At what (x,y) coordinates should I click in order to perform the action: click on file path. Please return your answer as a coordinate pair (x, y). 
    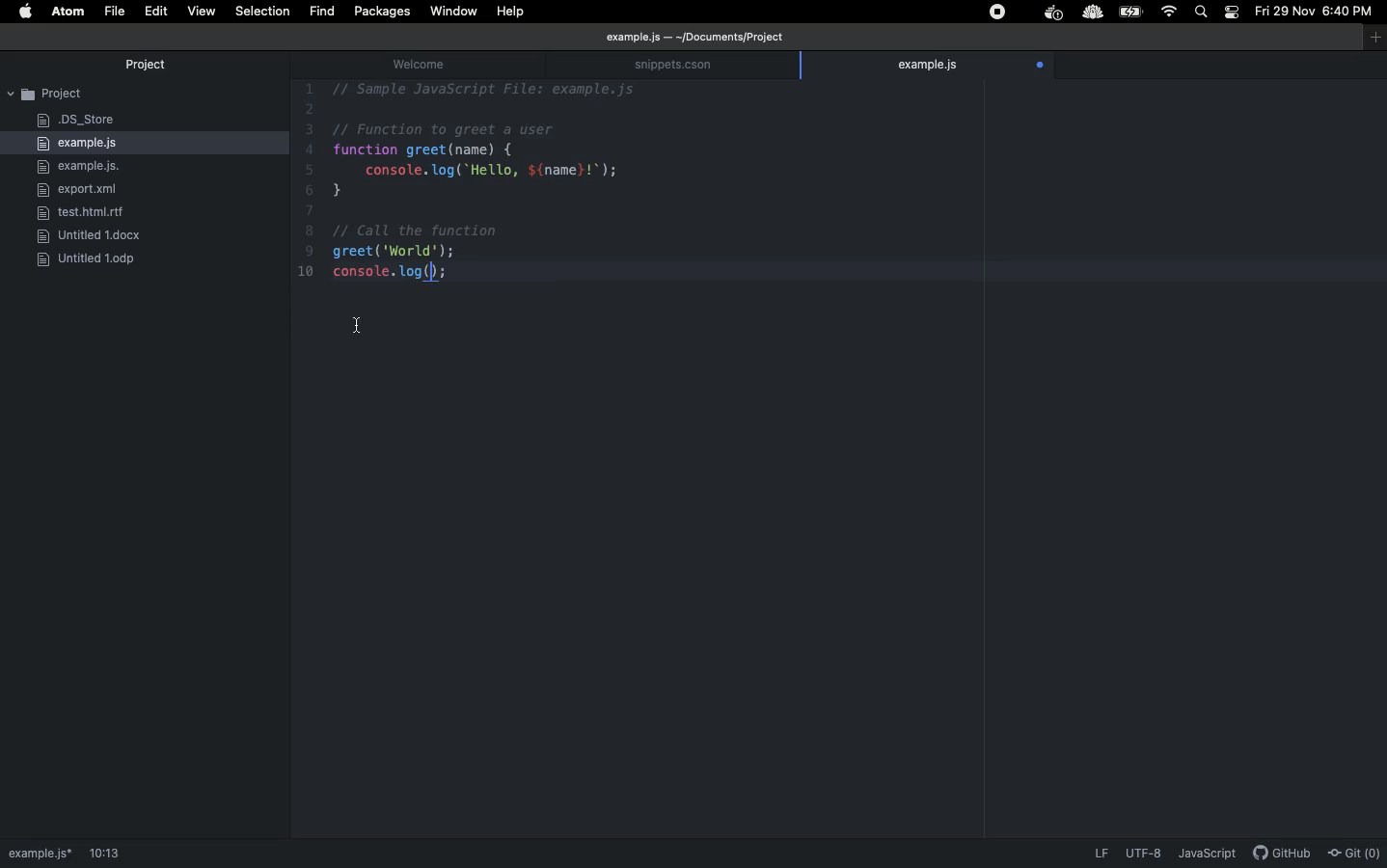
    Looking at the image, I should click on (698, 38).